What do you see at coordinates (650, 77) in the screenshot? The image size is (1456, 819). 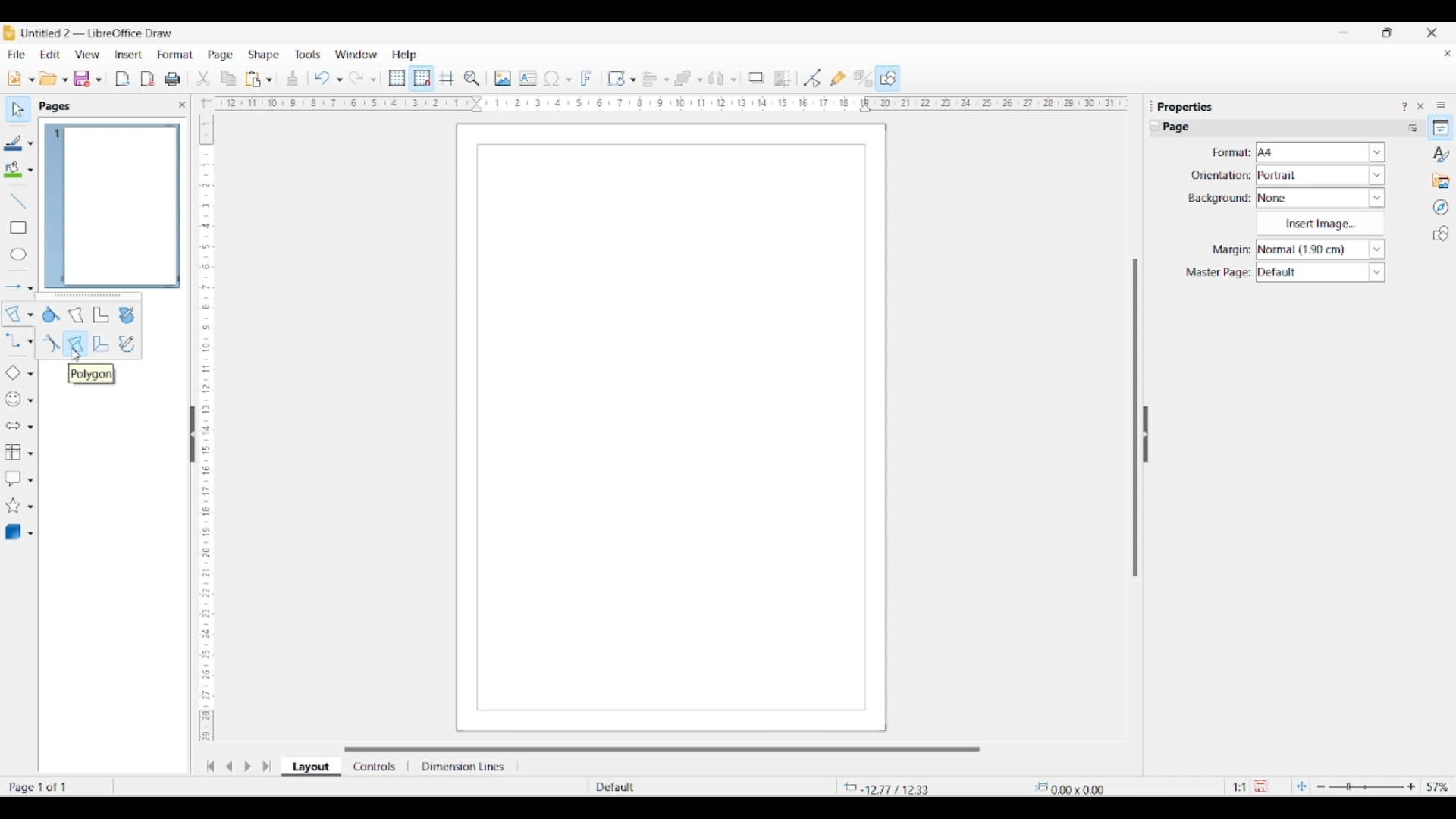 I see `Selected alignment` at bounding box center [650, 77].